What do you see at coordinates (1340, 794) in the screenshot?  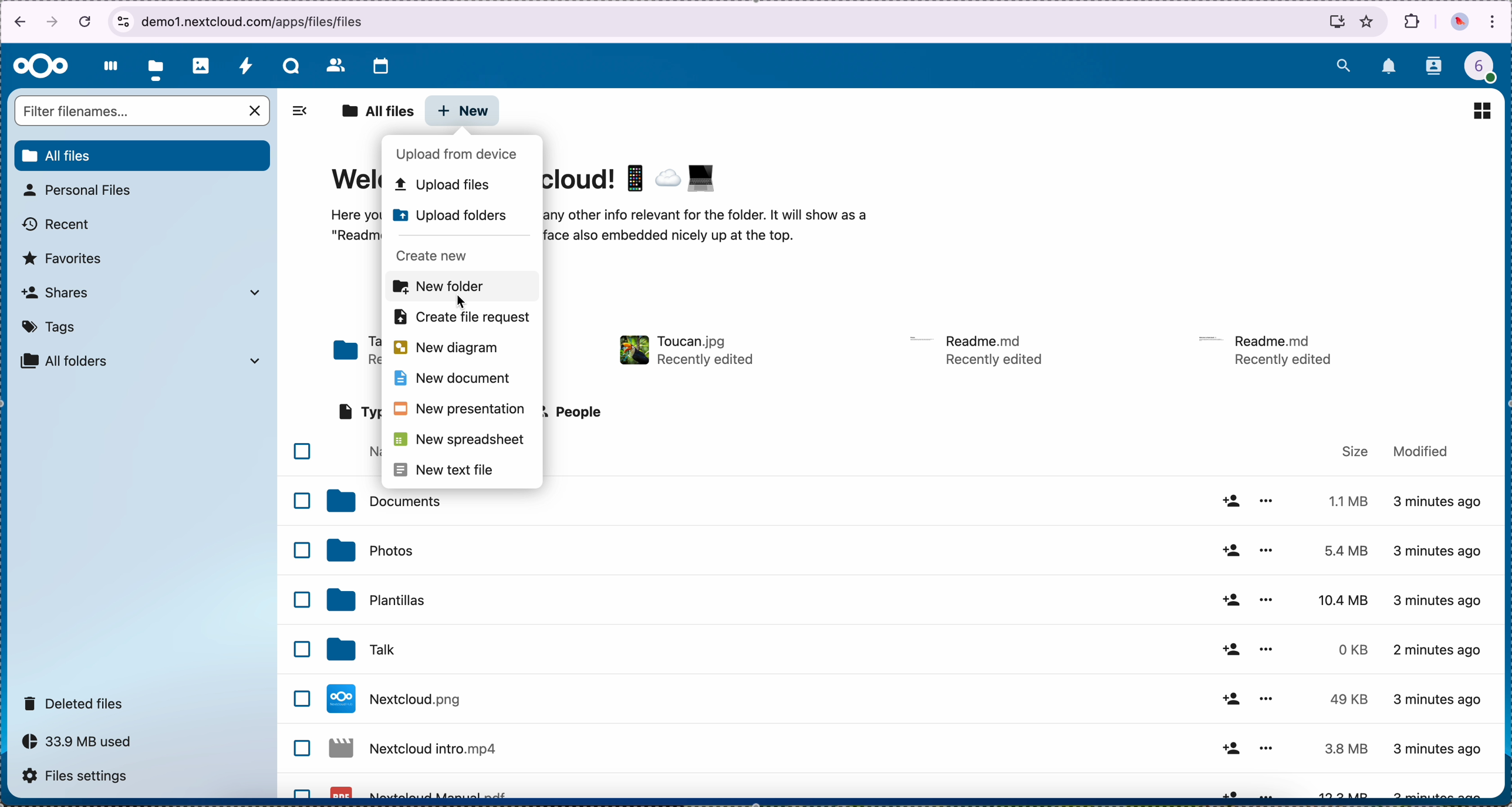 I see `12.2 MB` at bounding box center [1340, 794].